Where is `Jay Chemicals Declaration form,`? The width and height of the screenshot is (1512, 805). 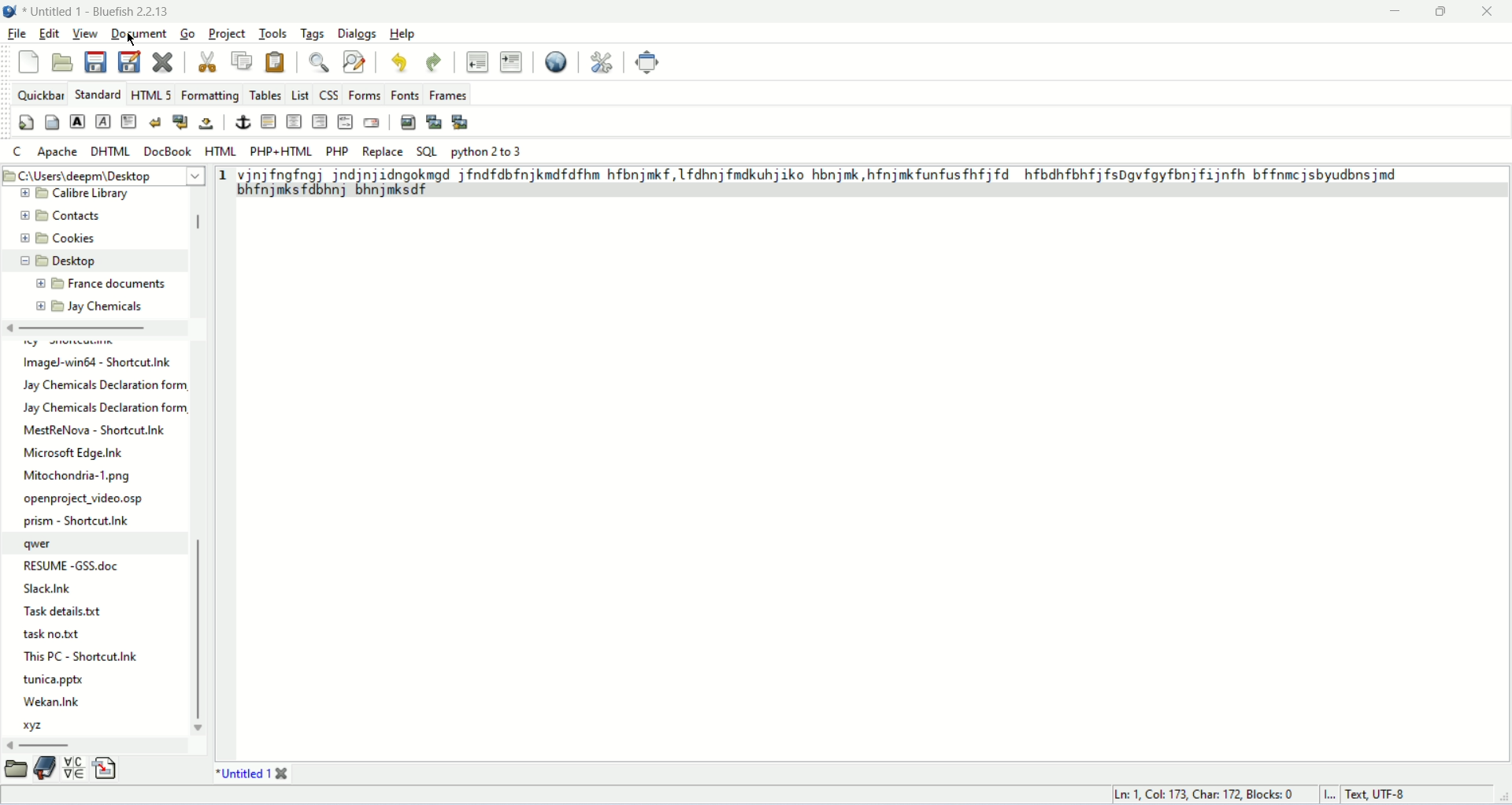 Jay Chemicals Declaration form, is located at coordinates (104, 408).